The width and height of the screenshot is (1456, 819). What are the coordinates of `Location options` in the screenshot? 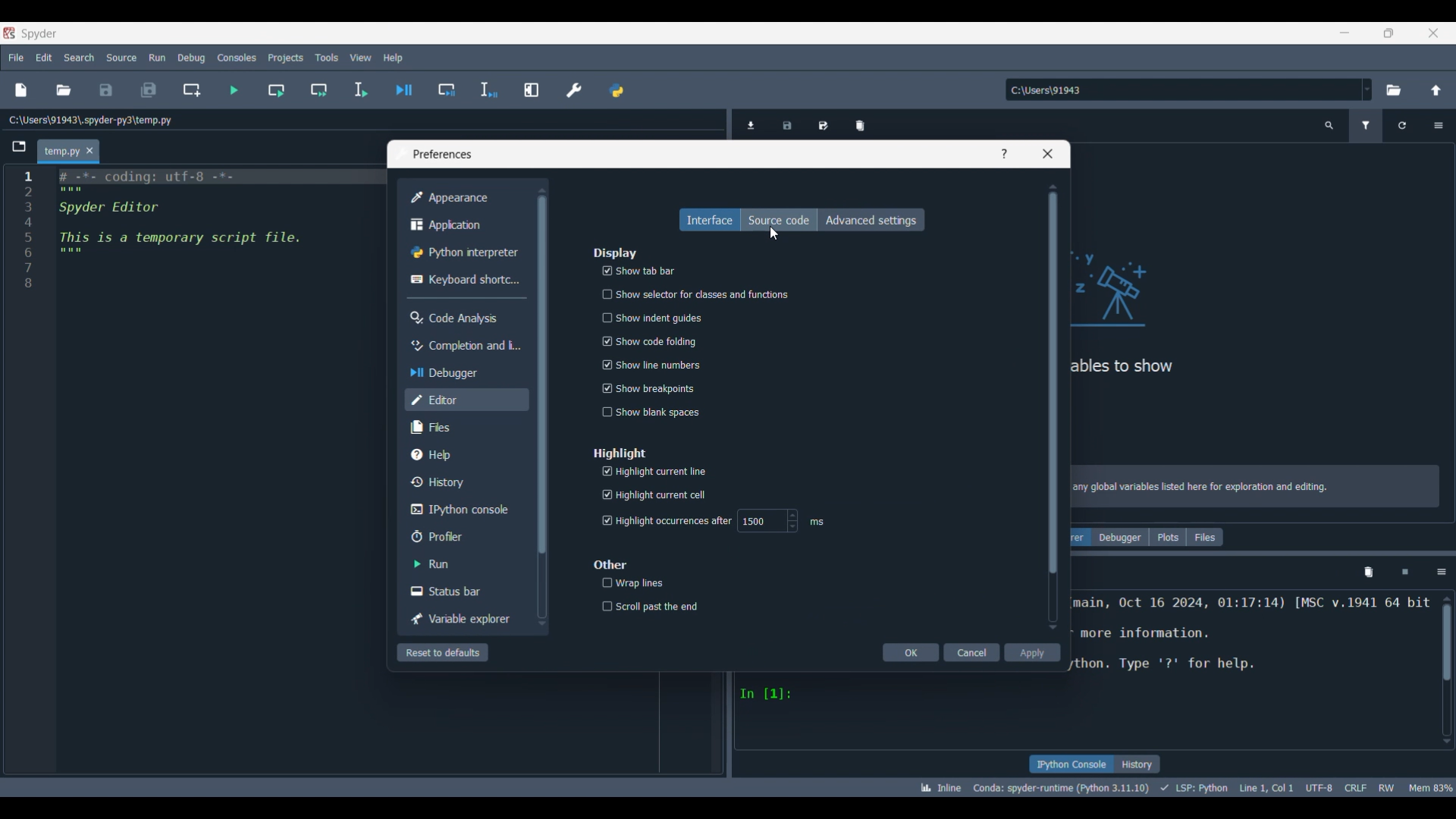 It's located at (1367, 89).